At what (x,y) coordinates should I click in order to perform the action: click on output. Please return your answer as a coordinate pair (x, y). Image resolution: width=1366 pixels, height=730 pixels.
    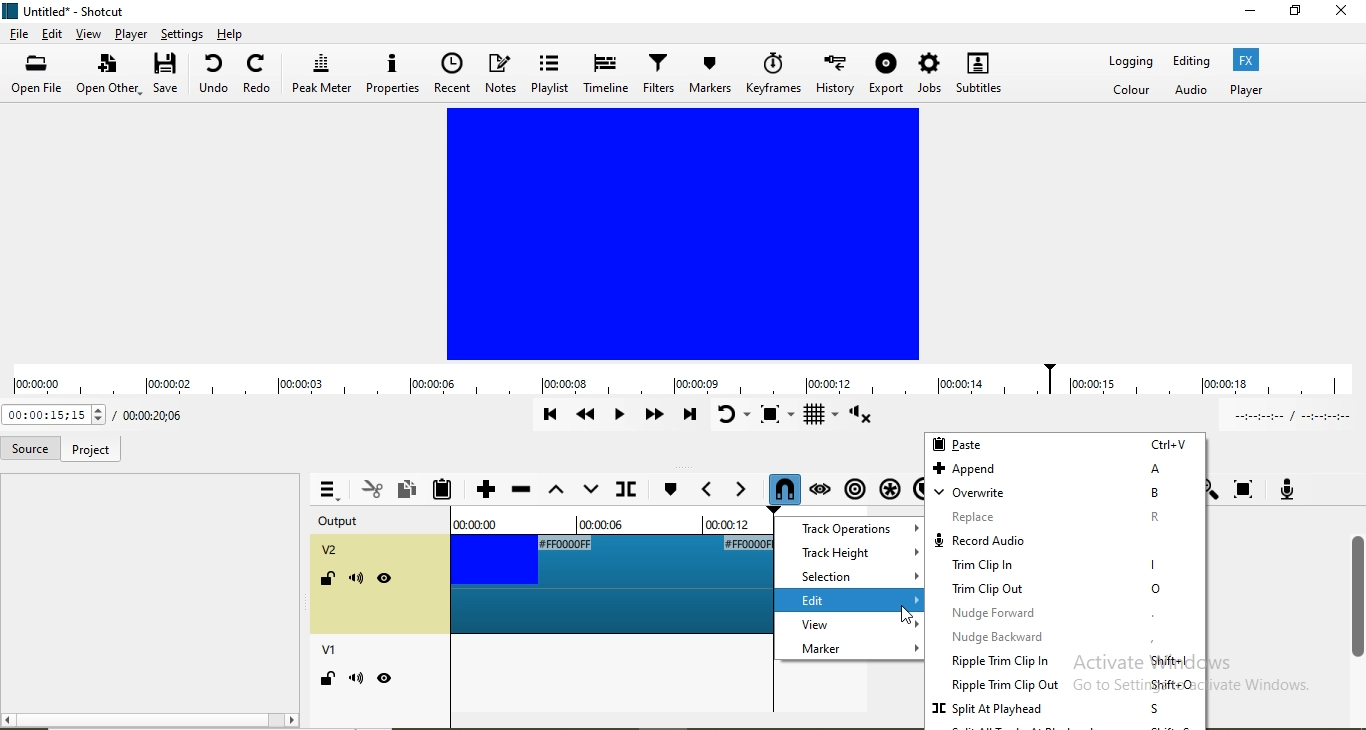
    Looking at the image, I should click on (352, 522).